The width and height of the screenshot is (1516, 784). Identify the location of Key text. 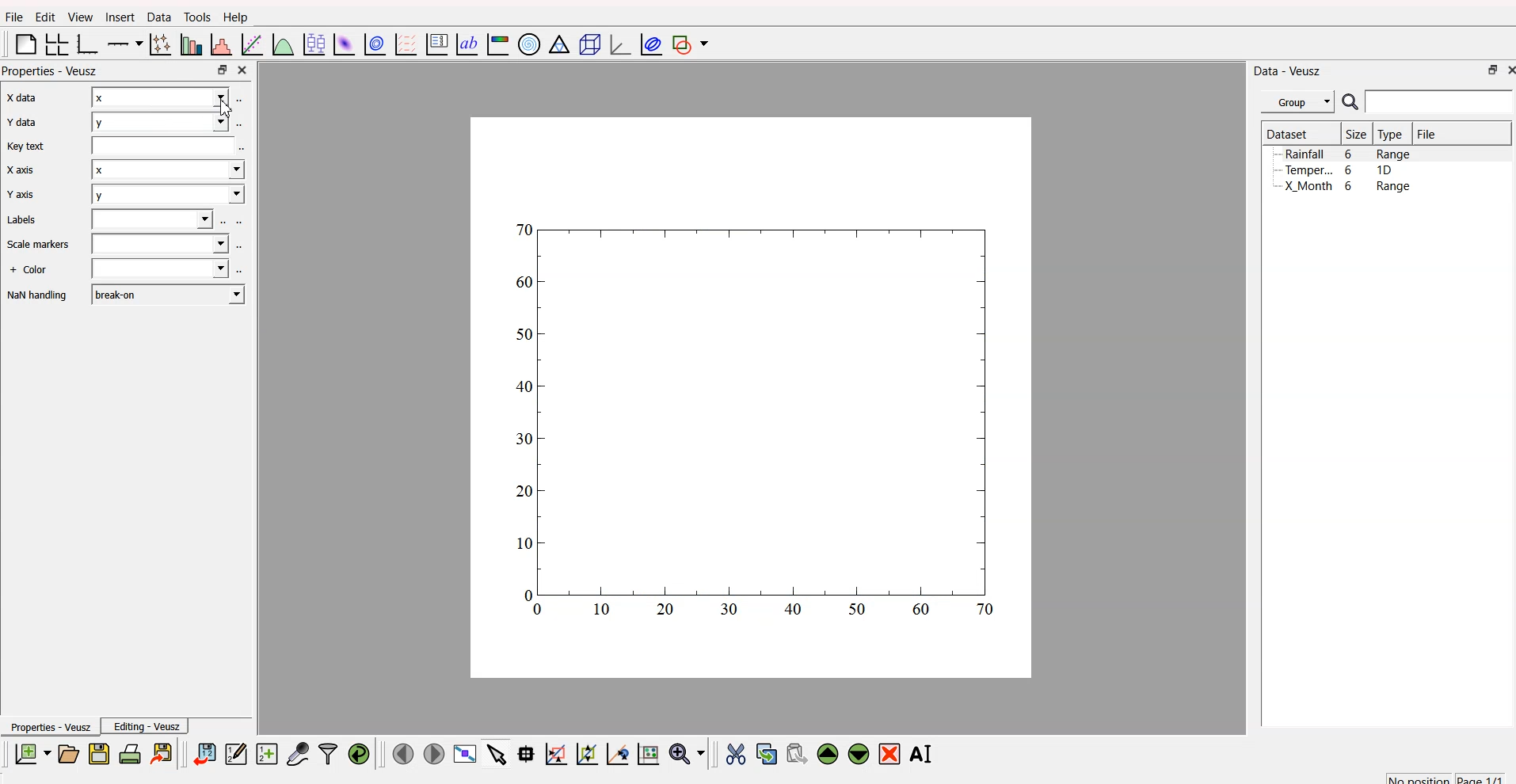
(27, 147).